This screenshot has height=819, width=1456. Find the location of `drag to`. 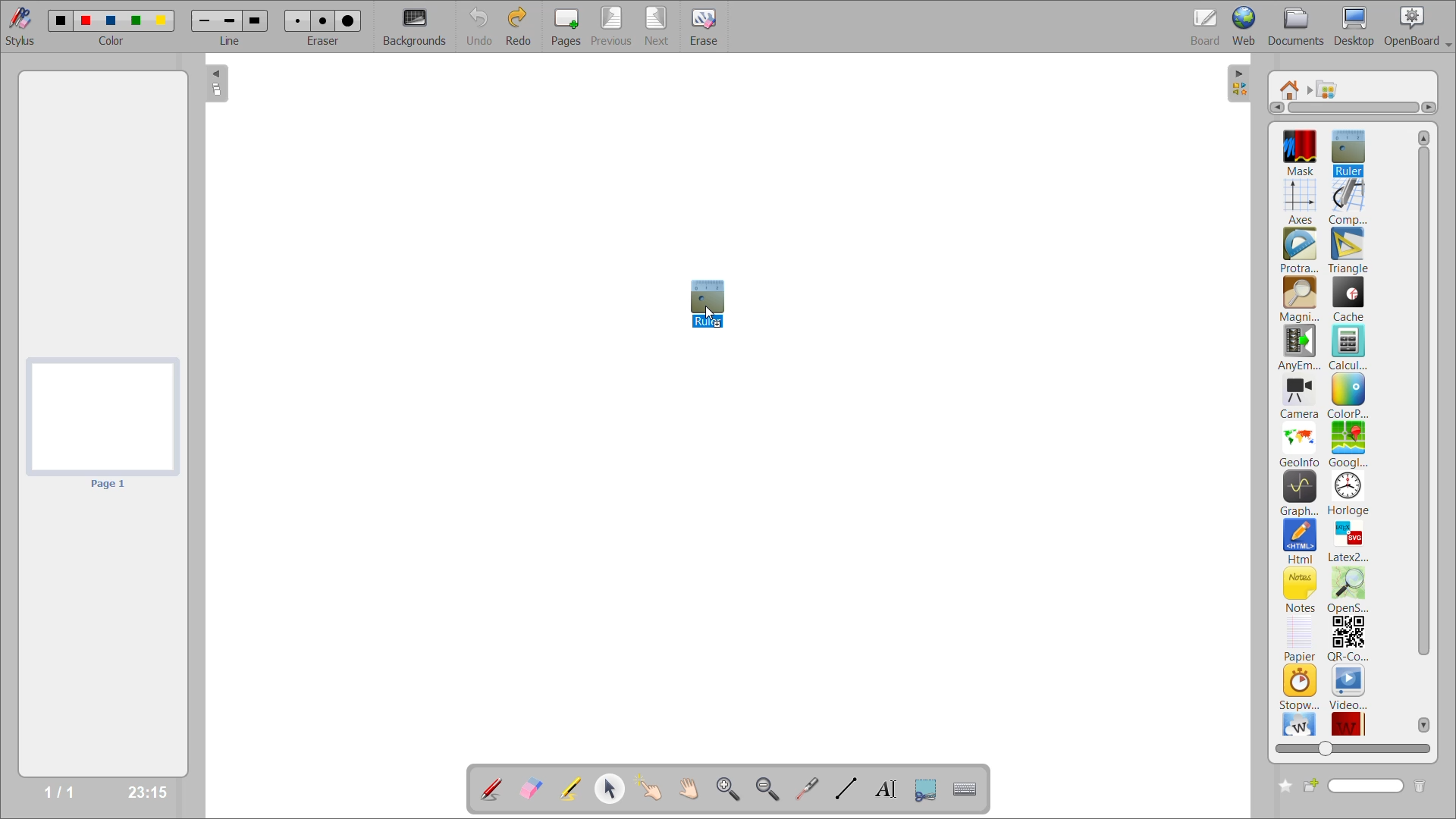

drag to is located at coordinates (713, 316).